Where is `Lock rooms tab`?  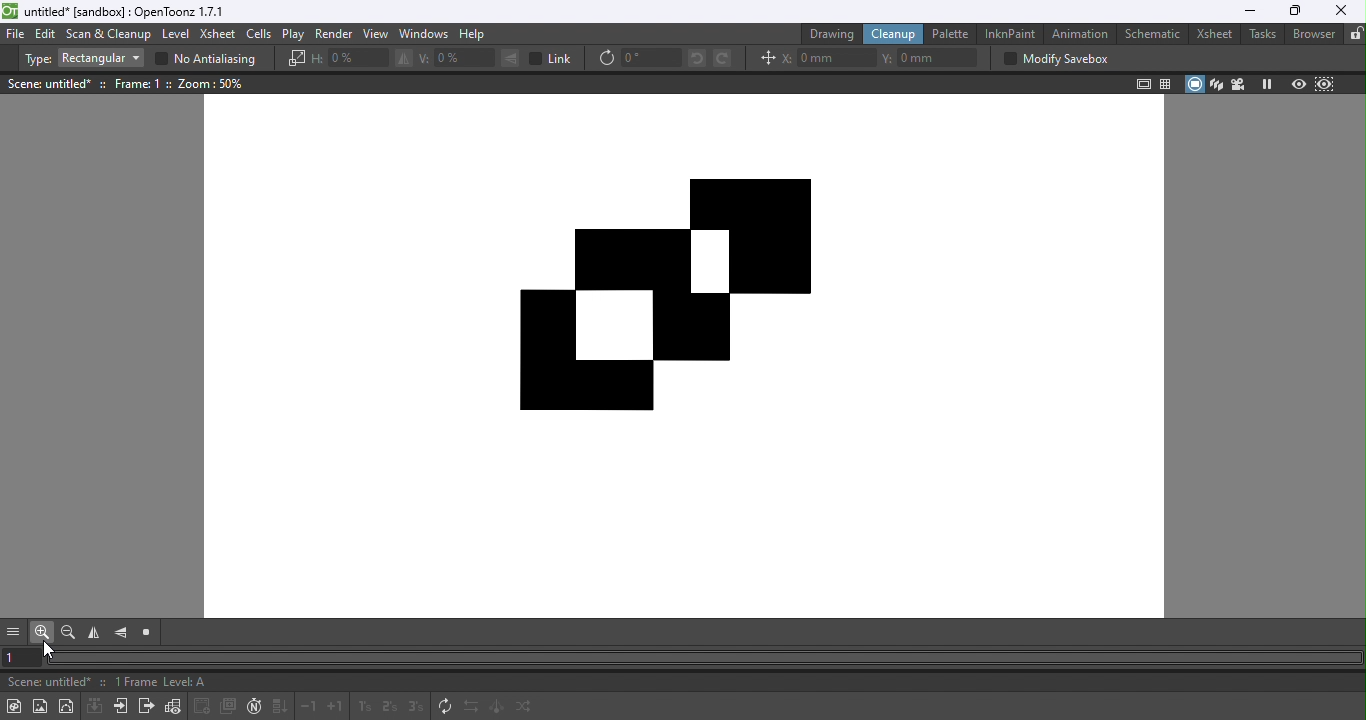
Lock rooms tab is located at coordinates (1356, 34).